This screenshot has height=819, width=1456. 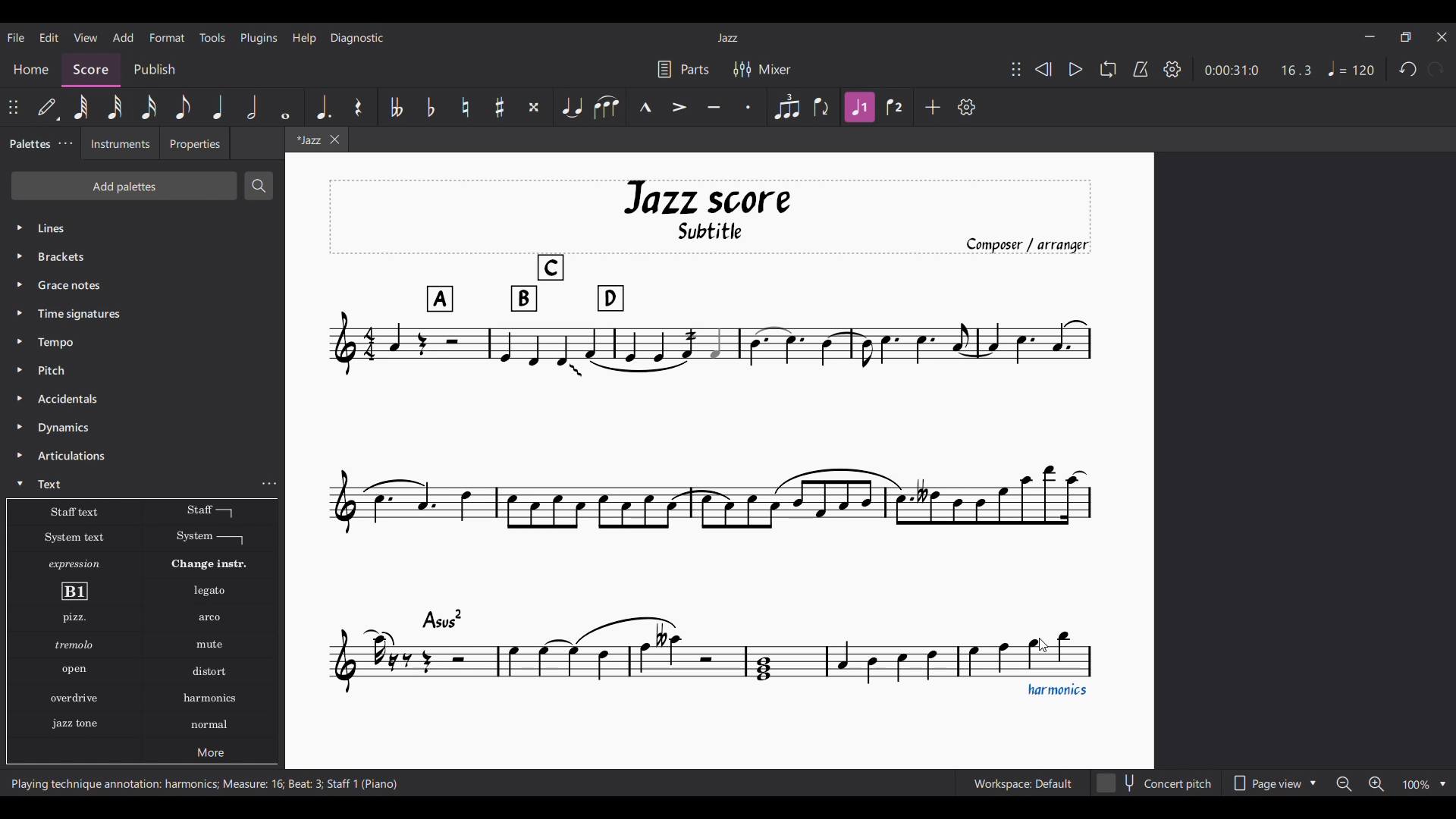 What do you see at coordinates (1275, 783) in the screenshot?
I see `Preview options` at bounding box center [1275, 783].